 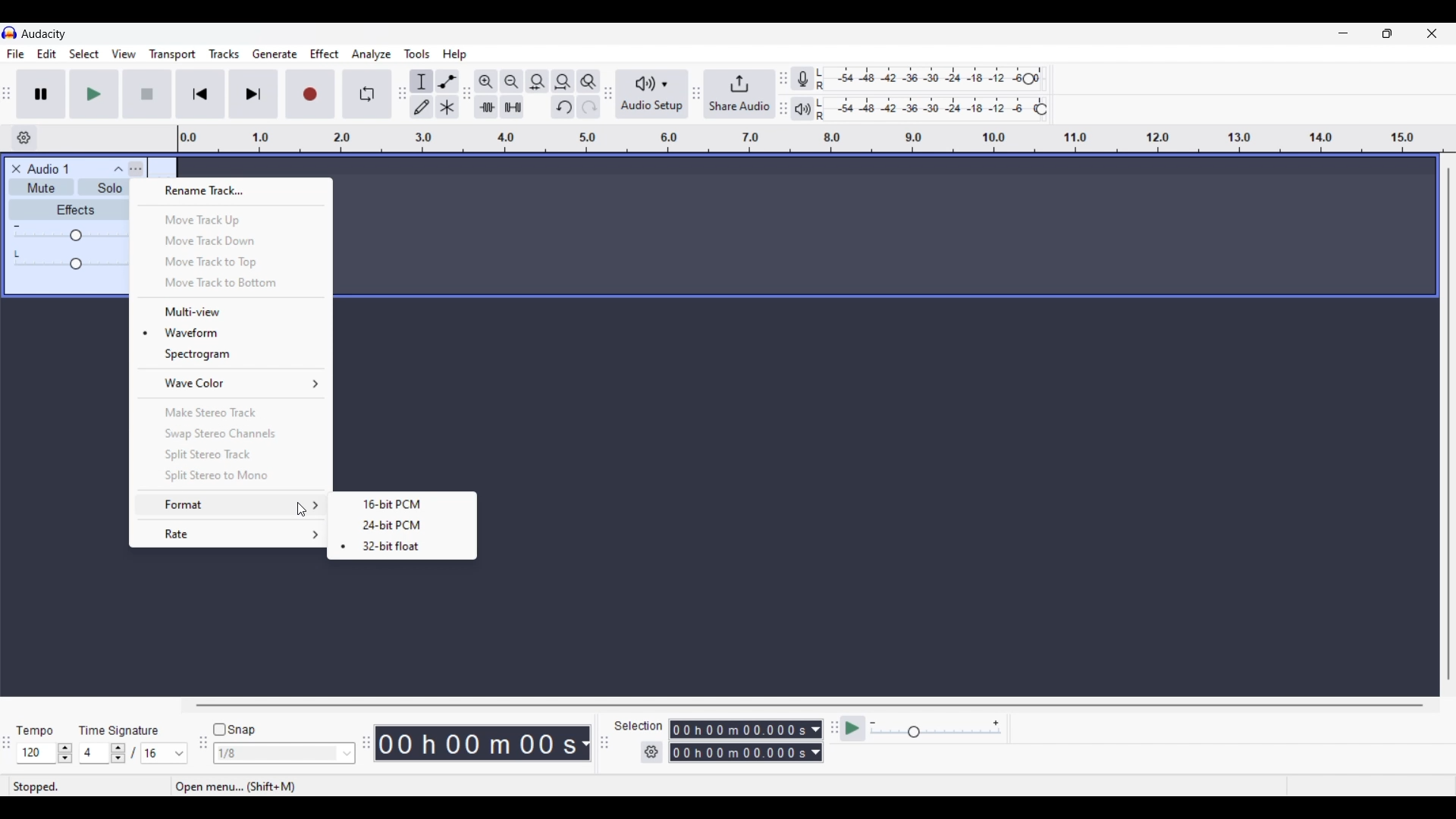 I want to click on Multitool, so click(x=447, y=108).